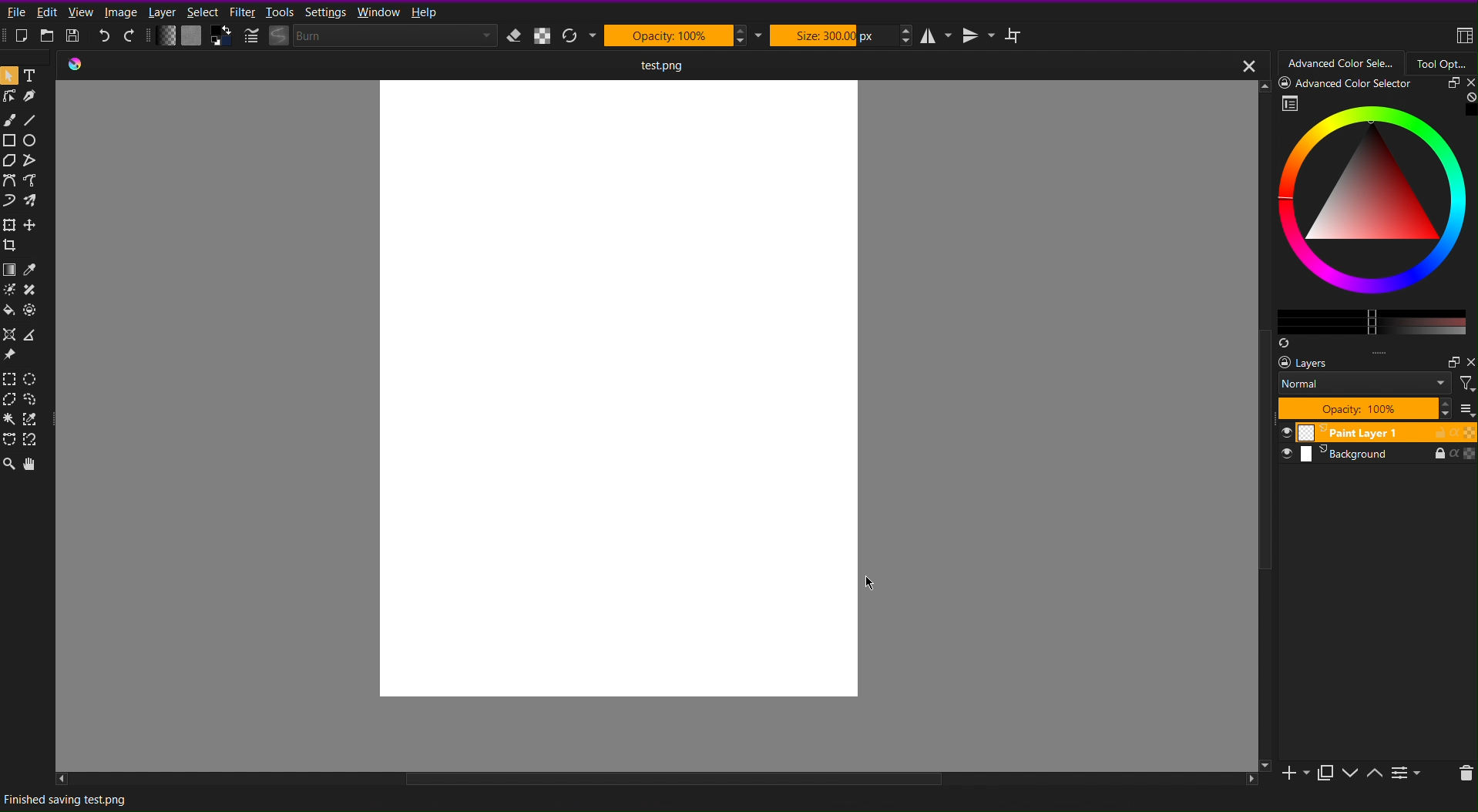  Describe the element at coordinates (22, 290) in the screenshot. I see `Color Options` at that location.